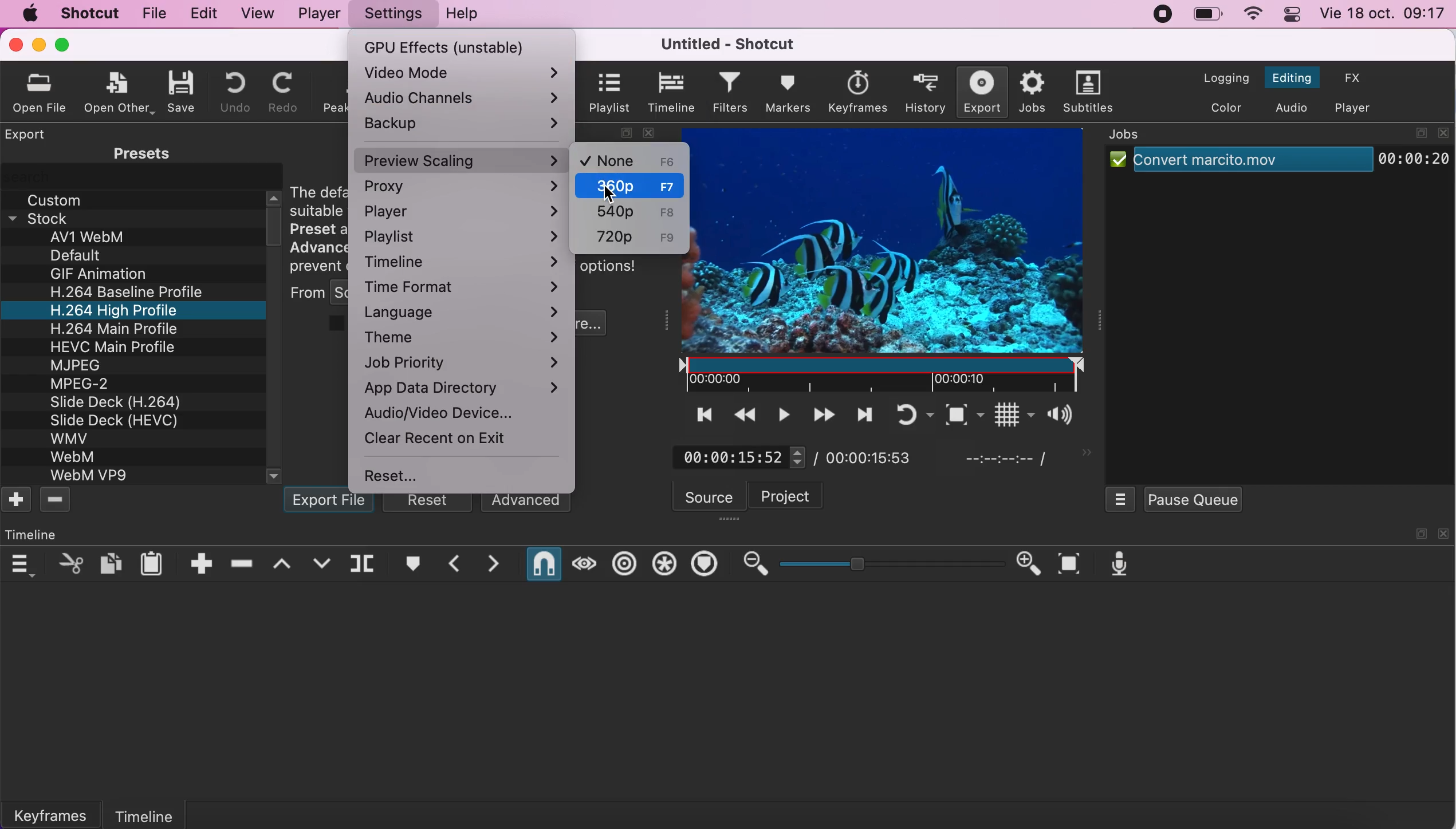  I want to click on skip to the next point, so click(863, 414).